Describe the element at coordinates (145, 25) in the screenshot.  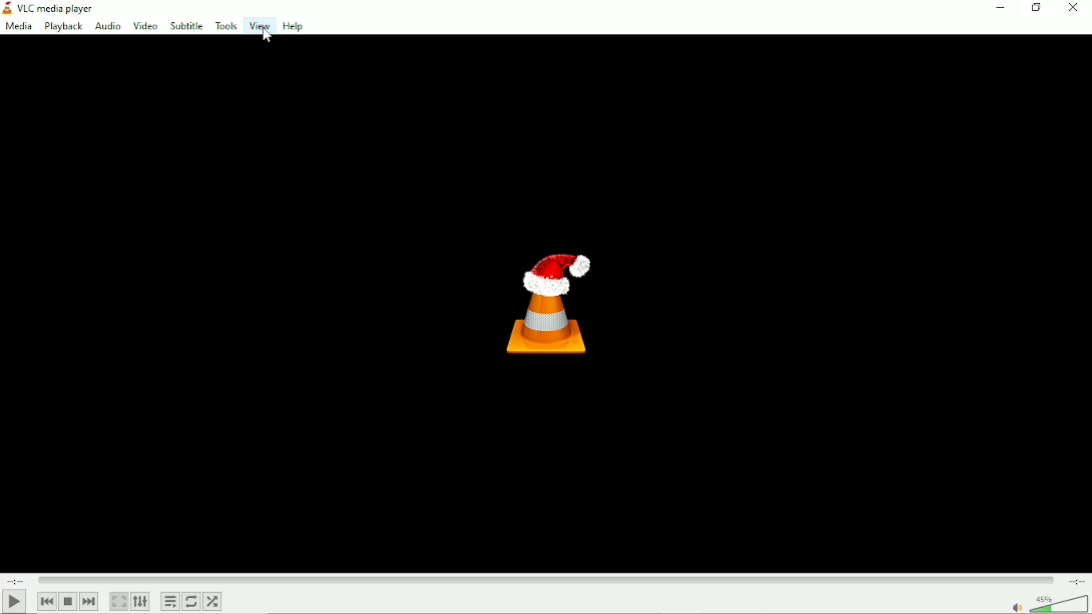
I see `Video` at that location.